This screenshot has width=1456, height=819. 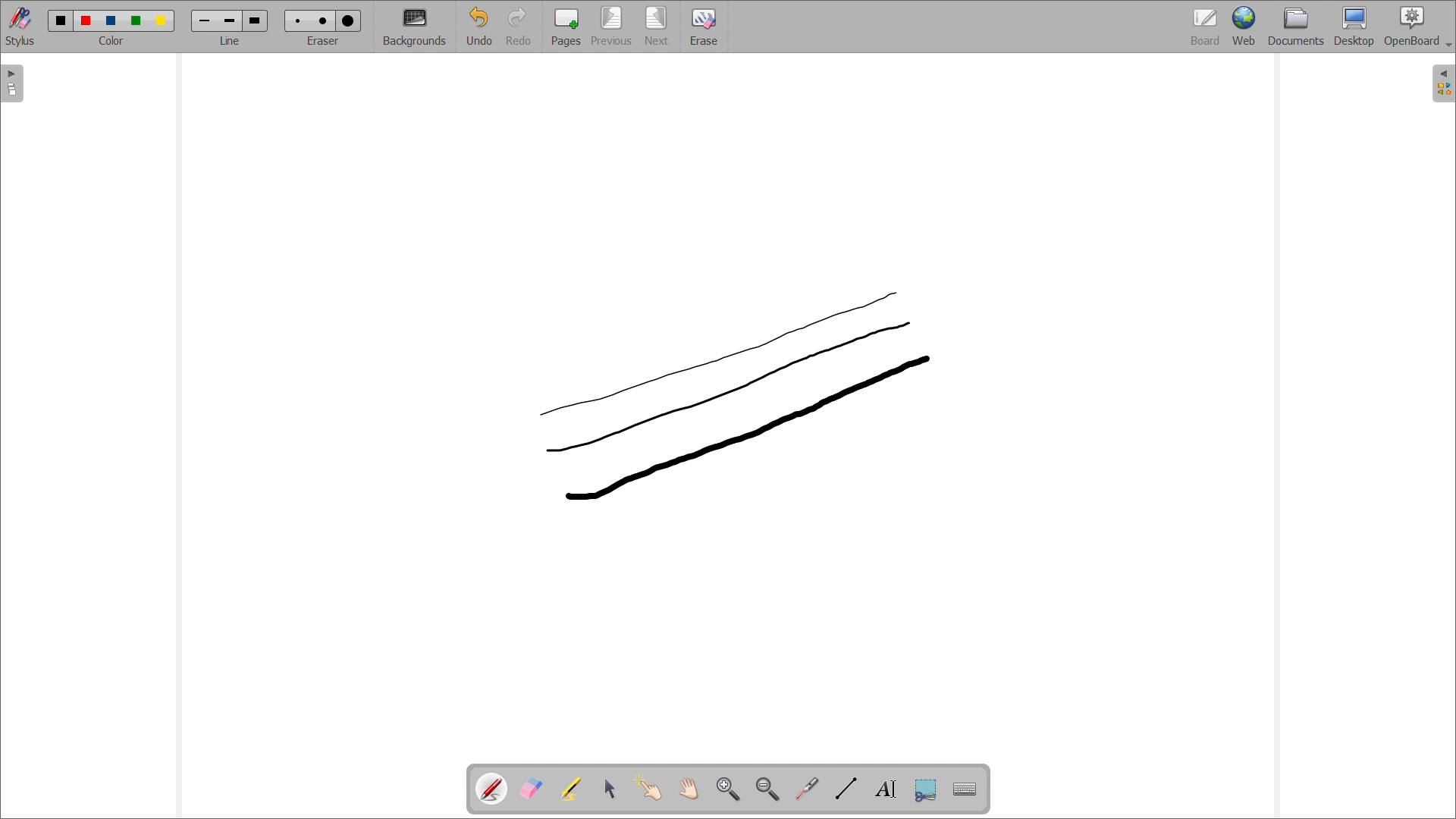 What do you see at coordinates (571, 789) in the screenshot?
I see `highlights` at bounding box center [571, 789].